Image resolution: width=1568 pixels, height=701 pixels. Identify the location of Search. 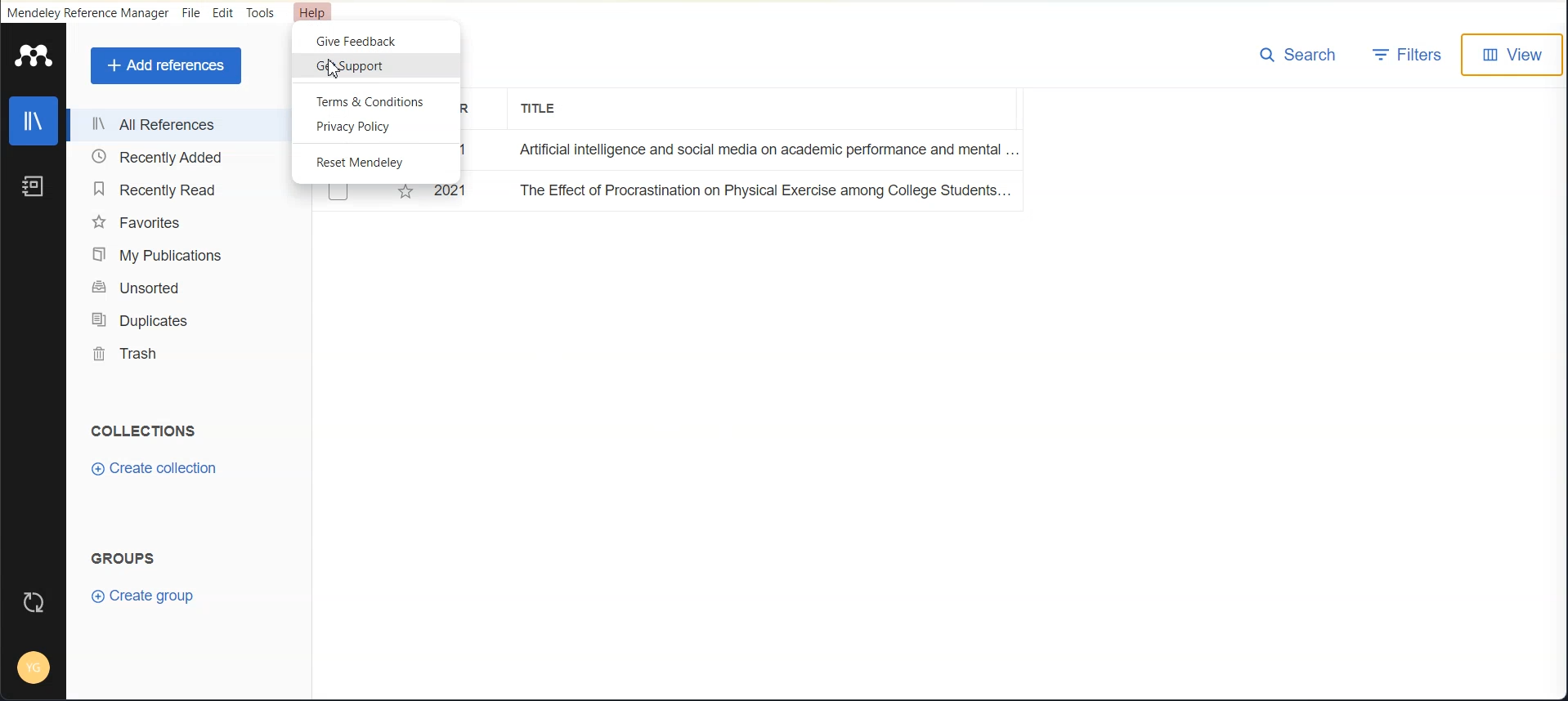
(1297, 55).